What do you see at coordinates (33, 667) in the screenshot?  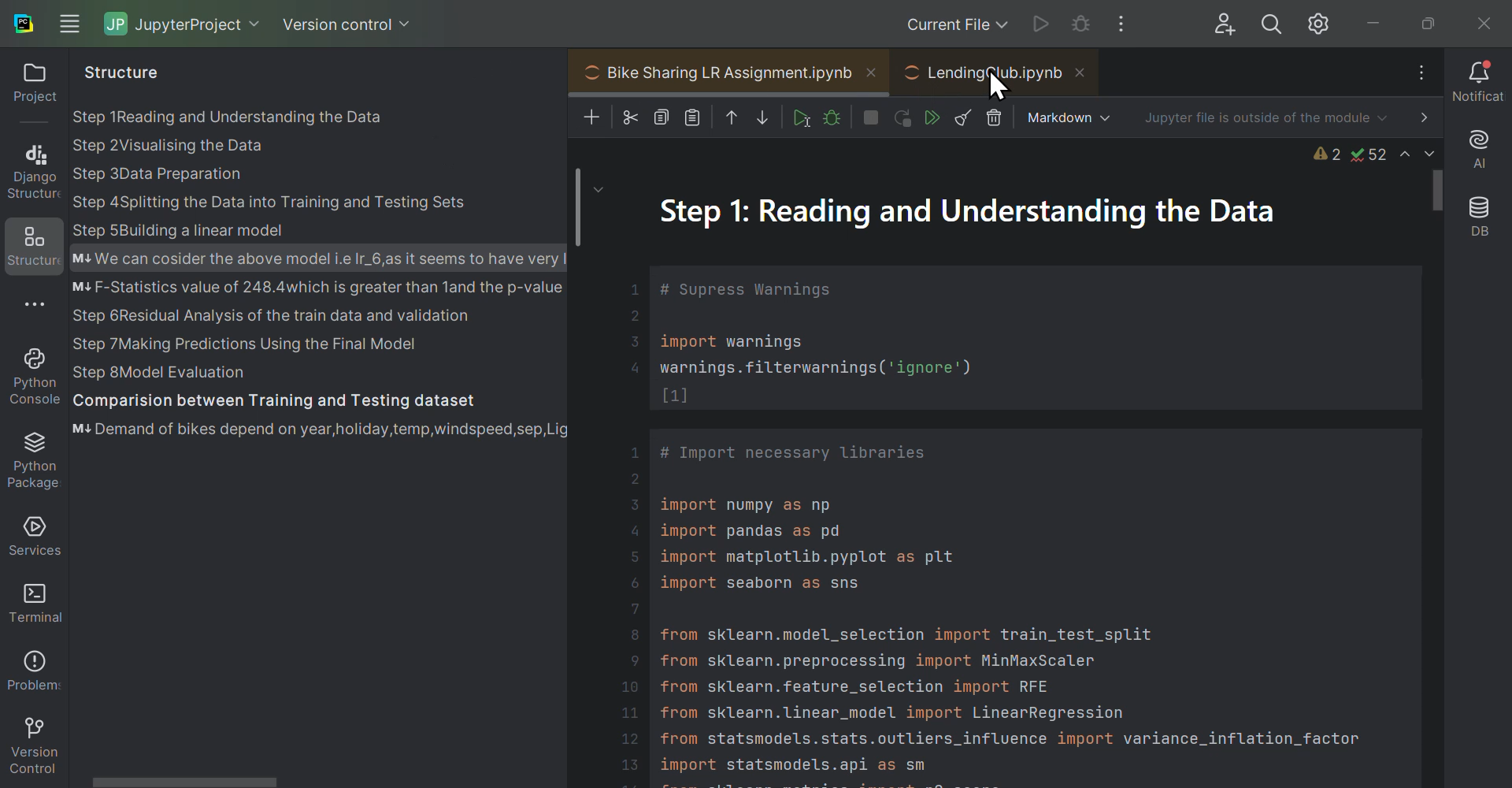 I see `Problems` at bounding box center [33, 667].